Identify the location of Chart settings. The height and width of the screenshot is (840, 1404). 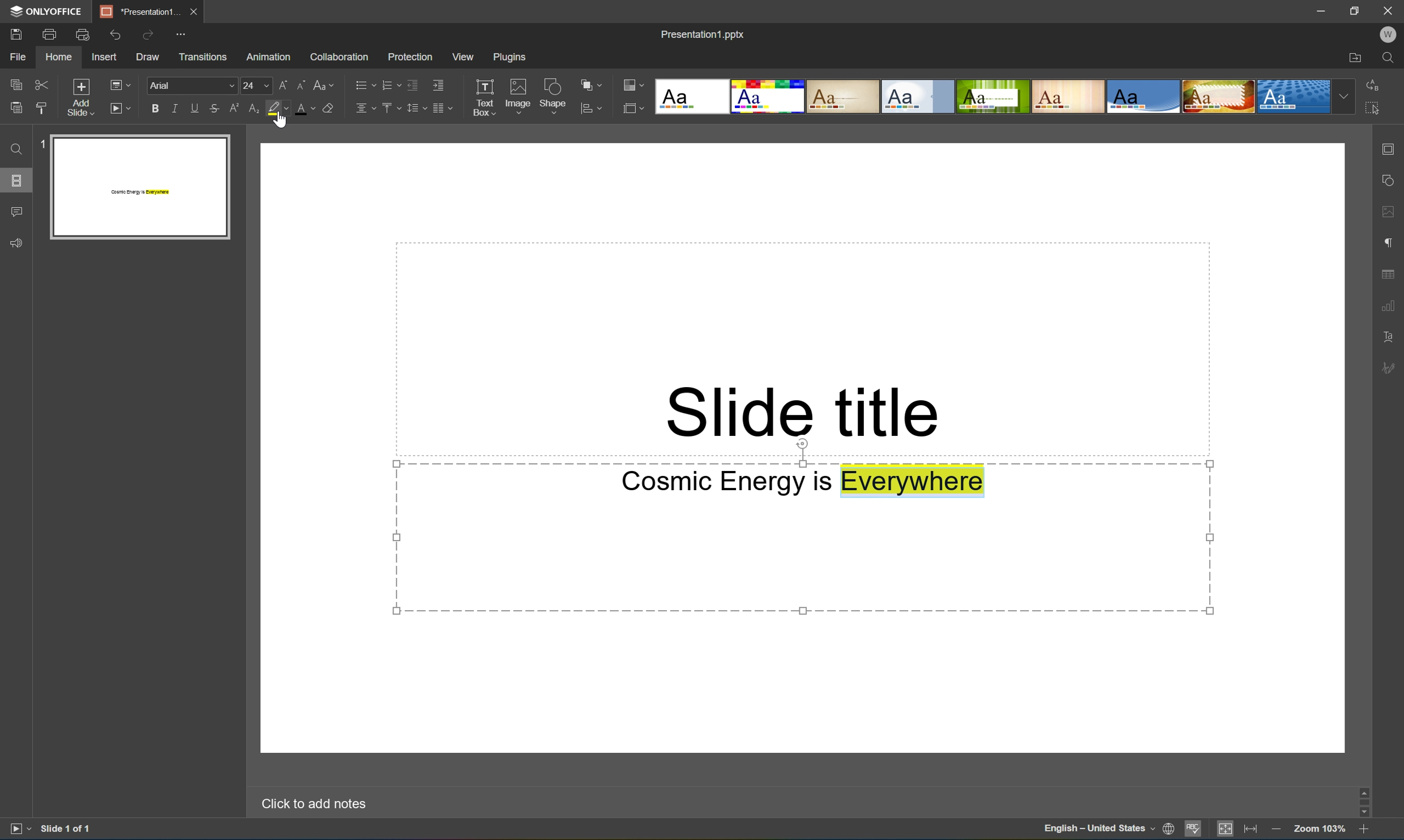
(1389, 304).